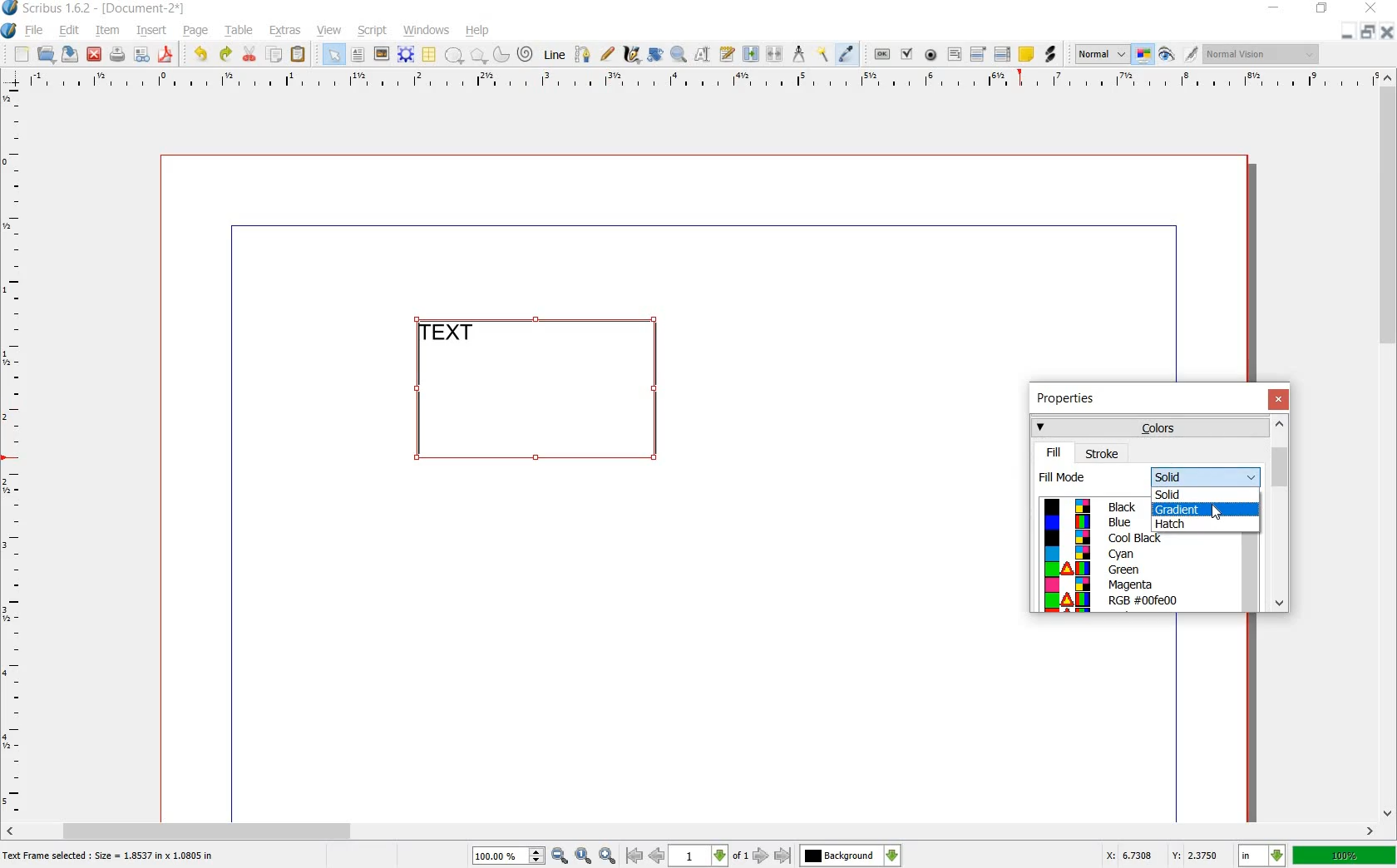  What do you see at coordinates (8, 31) in the screenshot?
I see `system logo` at bounding box center [8, 31].